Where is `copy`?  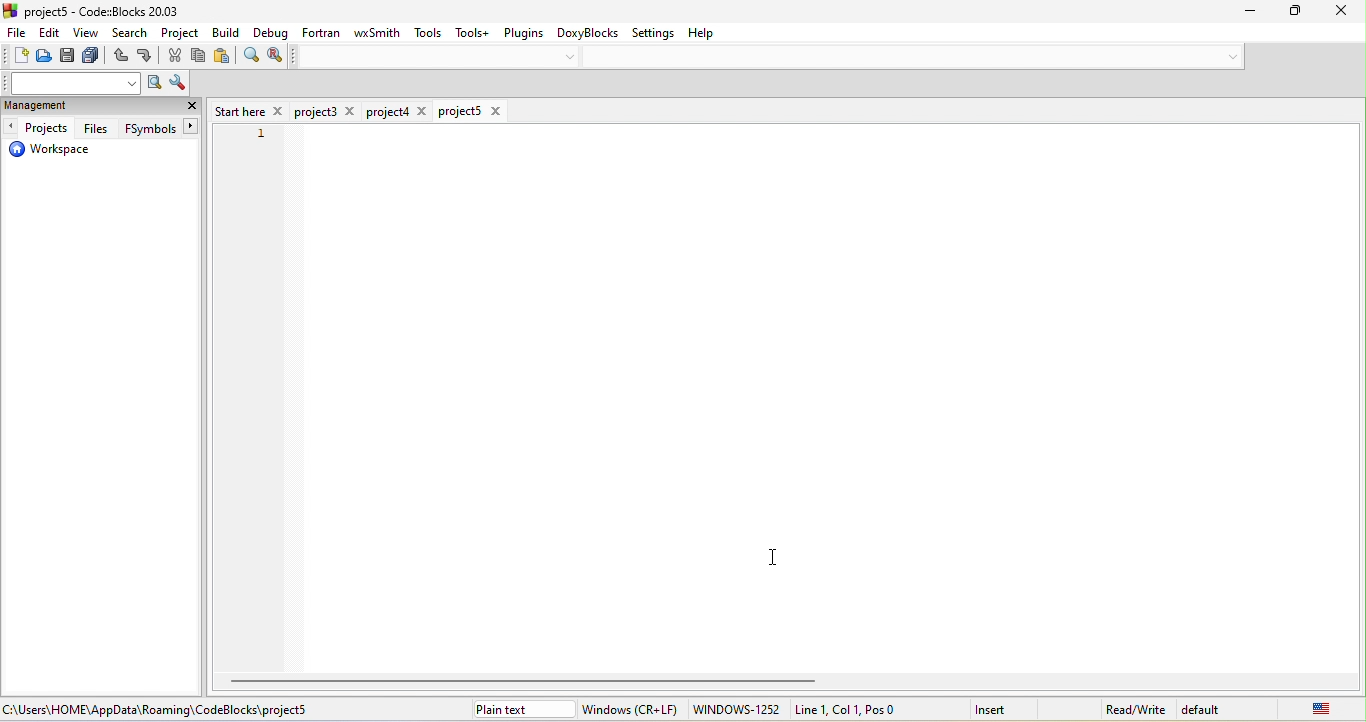 copy is located at coordinates (200, 57).